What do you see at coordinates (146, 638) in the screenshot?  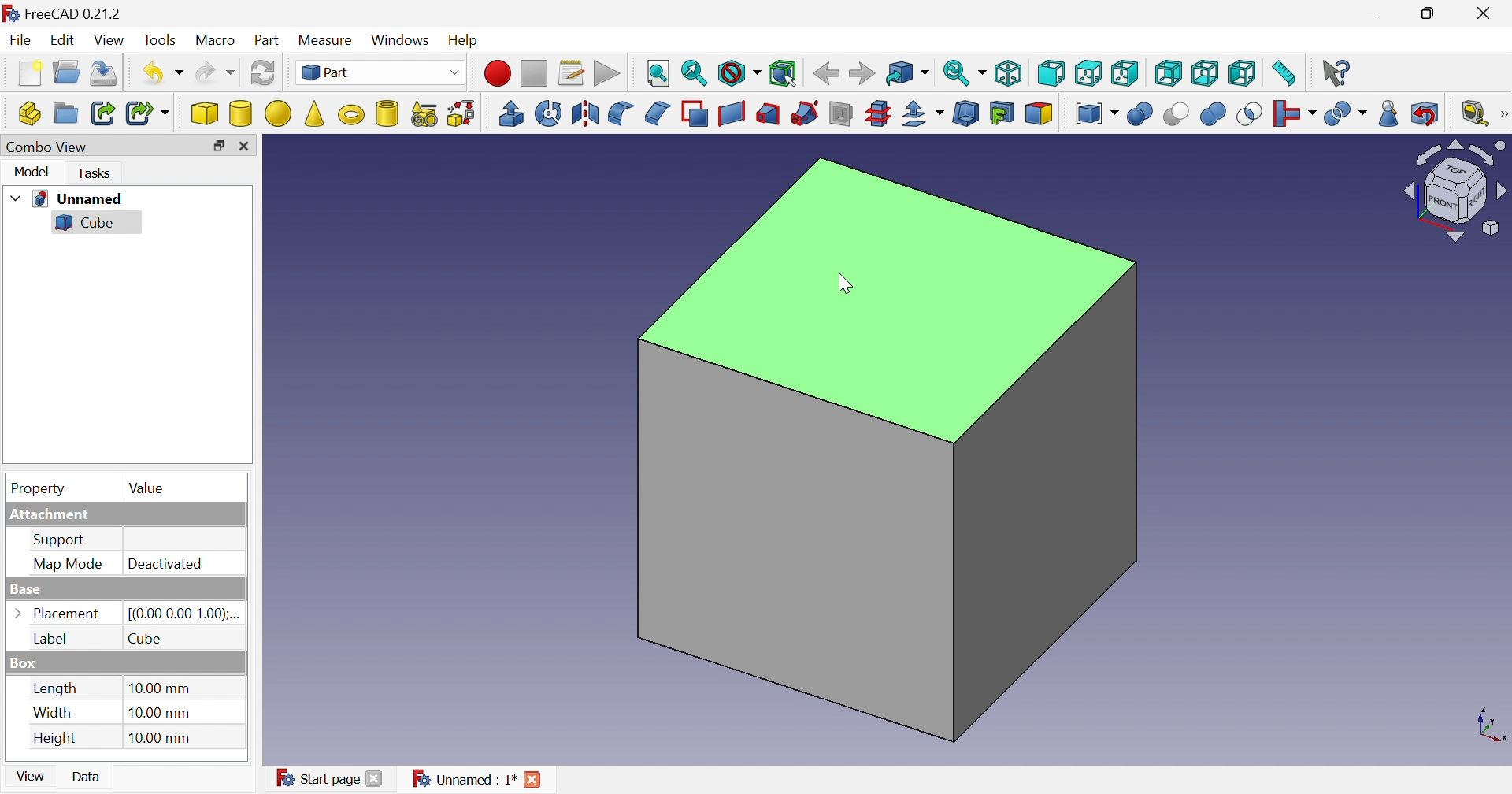 I see `Cube` at bounding box center [146, 638].